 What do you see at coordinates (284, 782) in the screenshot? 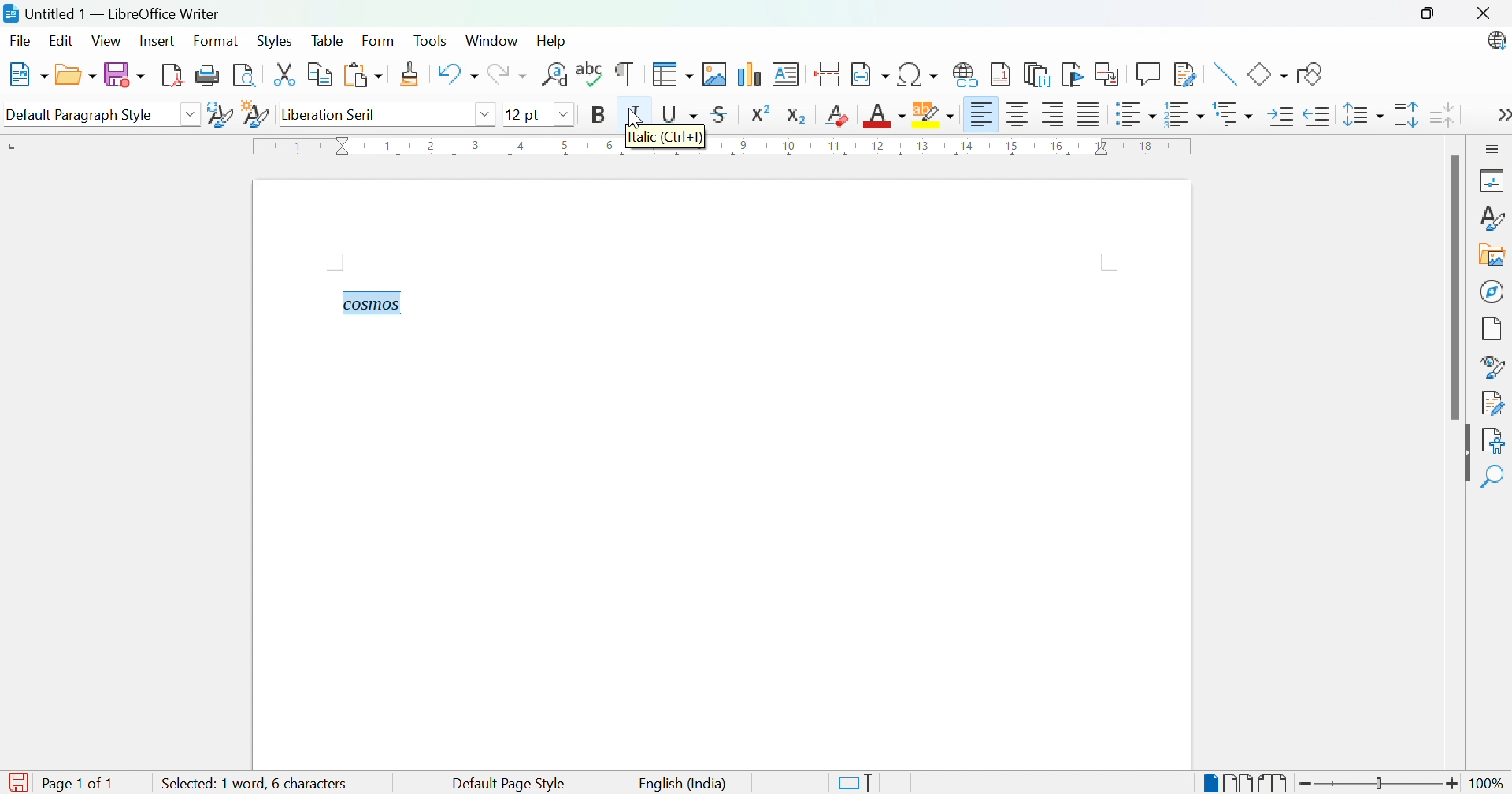
I see `1 word, 1 character` at bounding box center [284, 782].